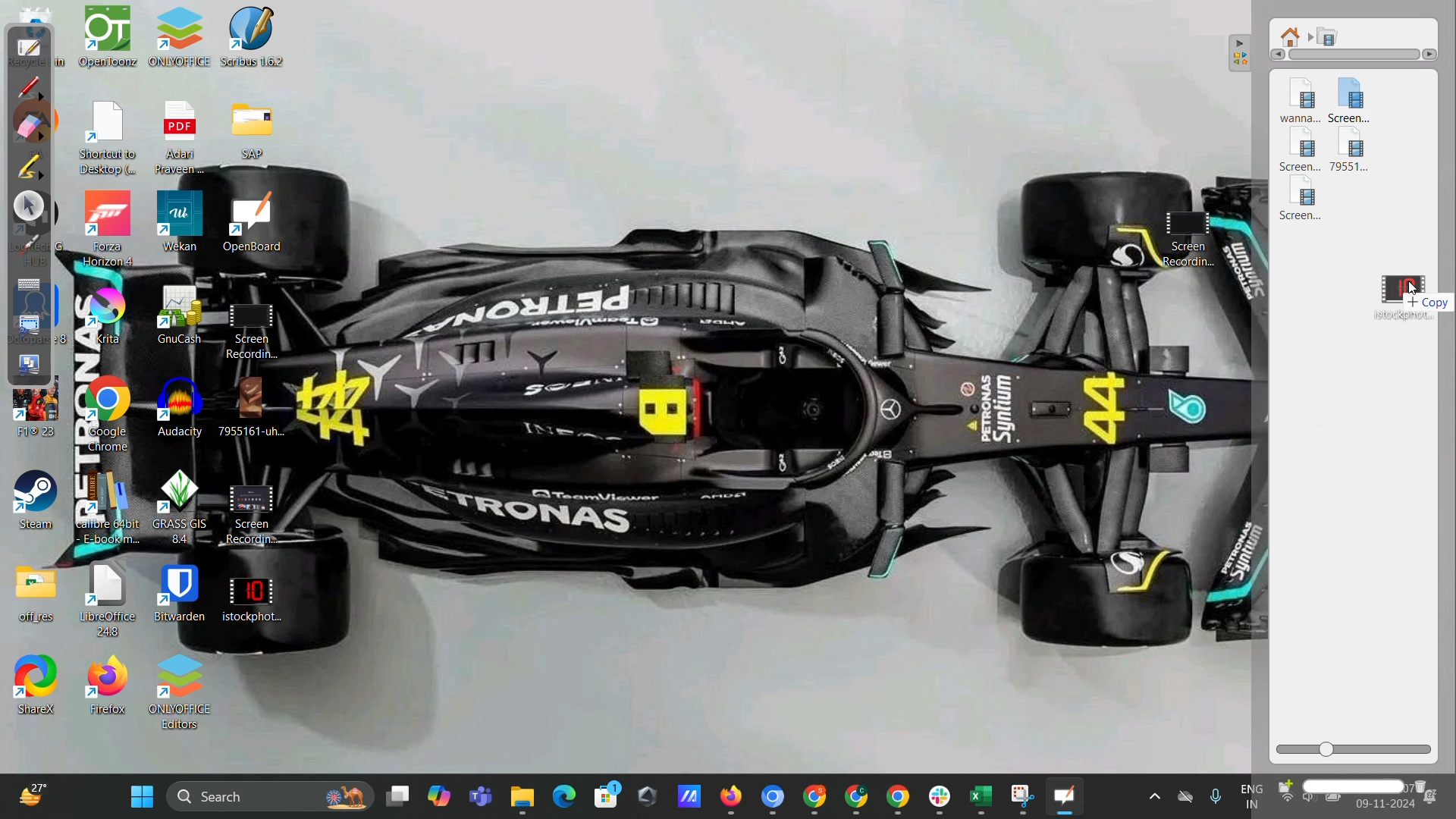 The width and height of the screenshot is (1456, 819). What do you see at coordinates (396, 799) in the screenshot?
I see `Desktops` at bounding box center [396, 799].